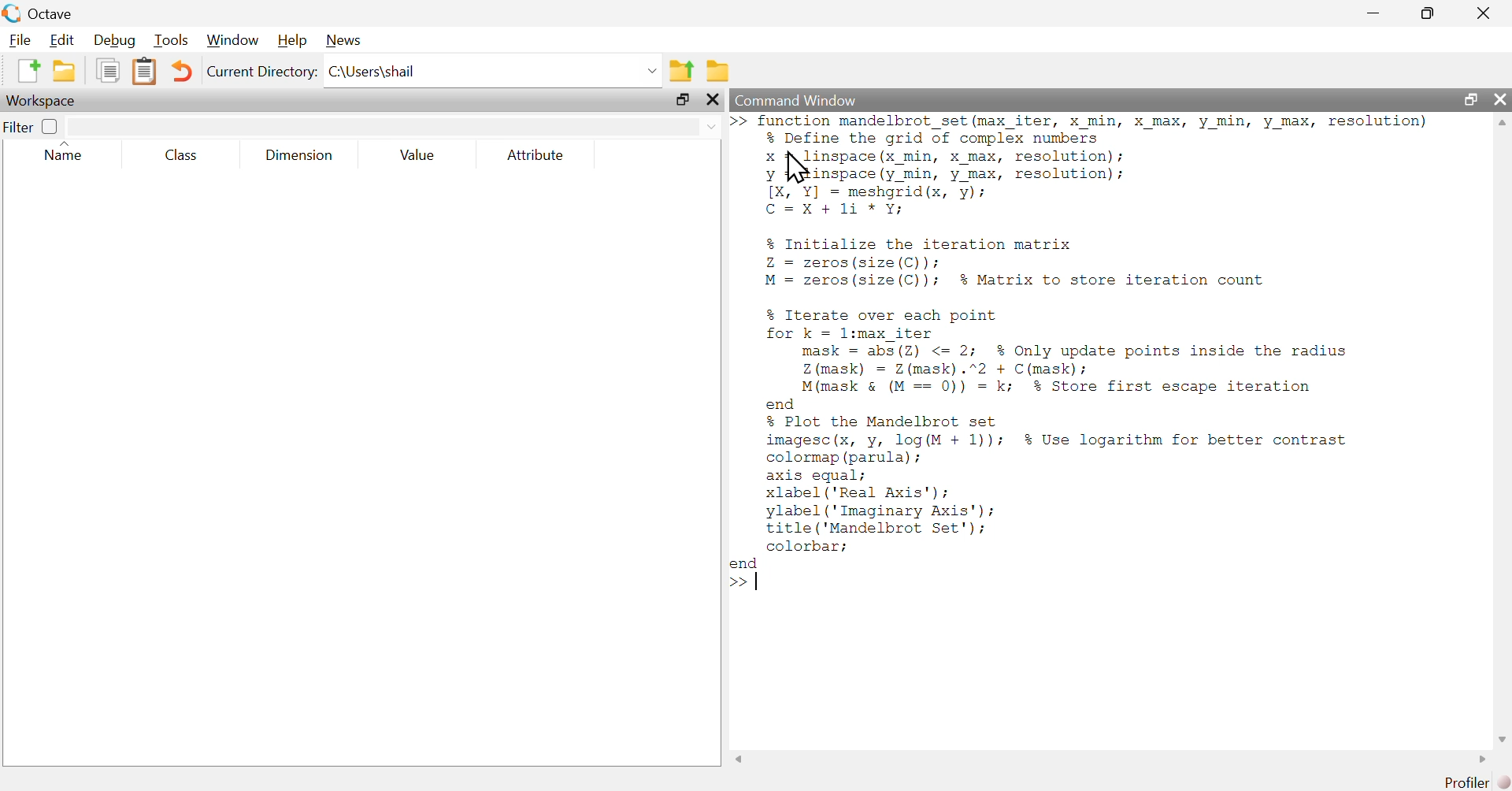 This screenshot has width=1512, height=791. What do you see at coordinates (343, 41) in the screenshot?
I see `News` at bounding box center [343, 41].